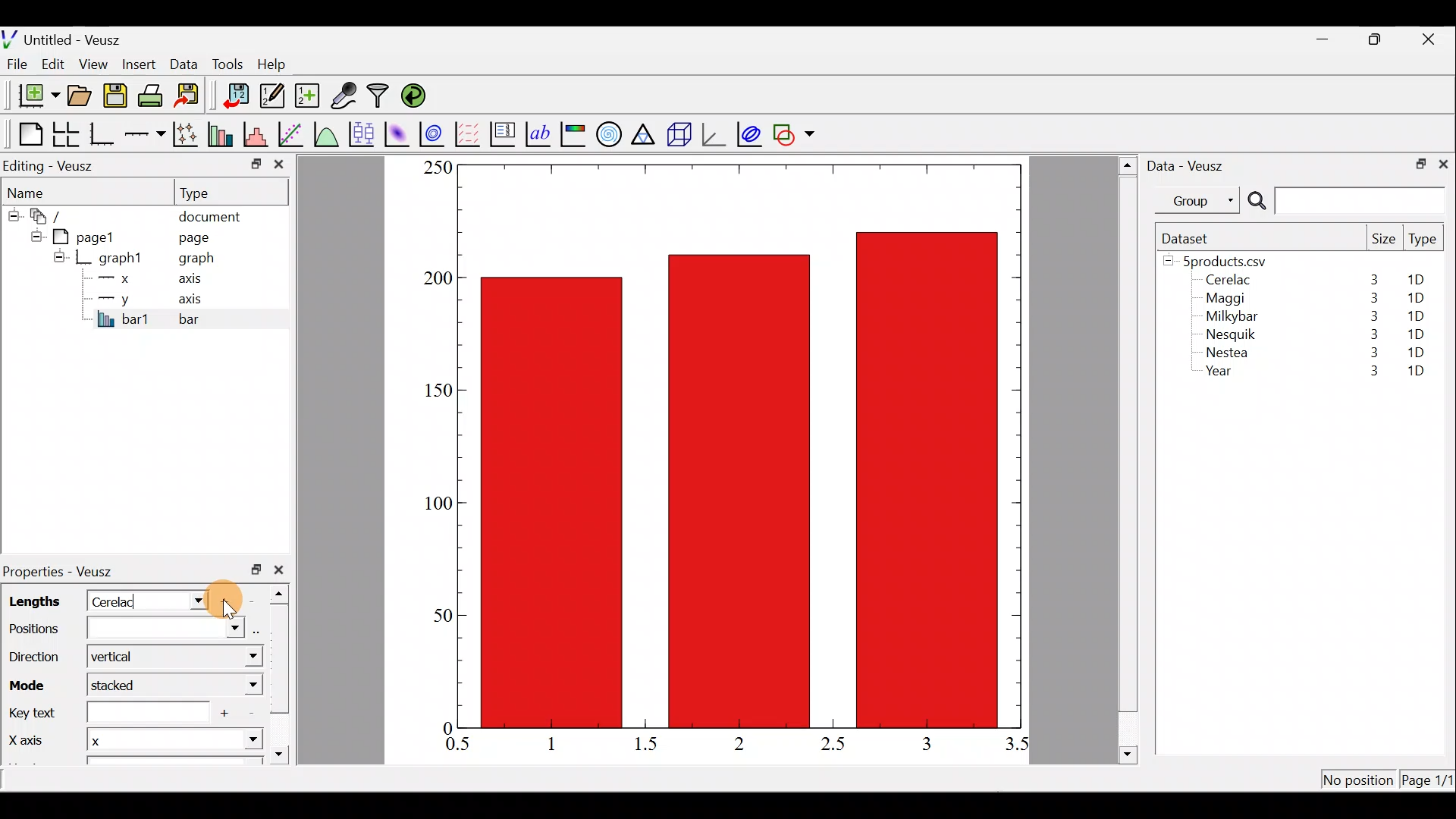  What do you see at coordinates (434, 506) in the screenshot?
I see `100` at bounding box center [434, 506].